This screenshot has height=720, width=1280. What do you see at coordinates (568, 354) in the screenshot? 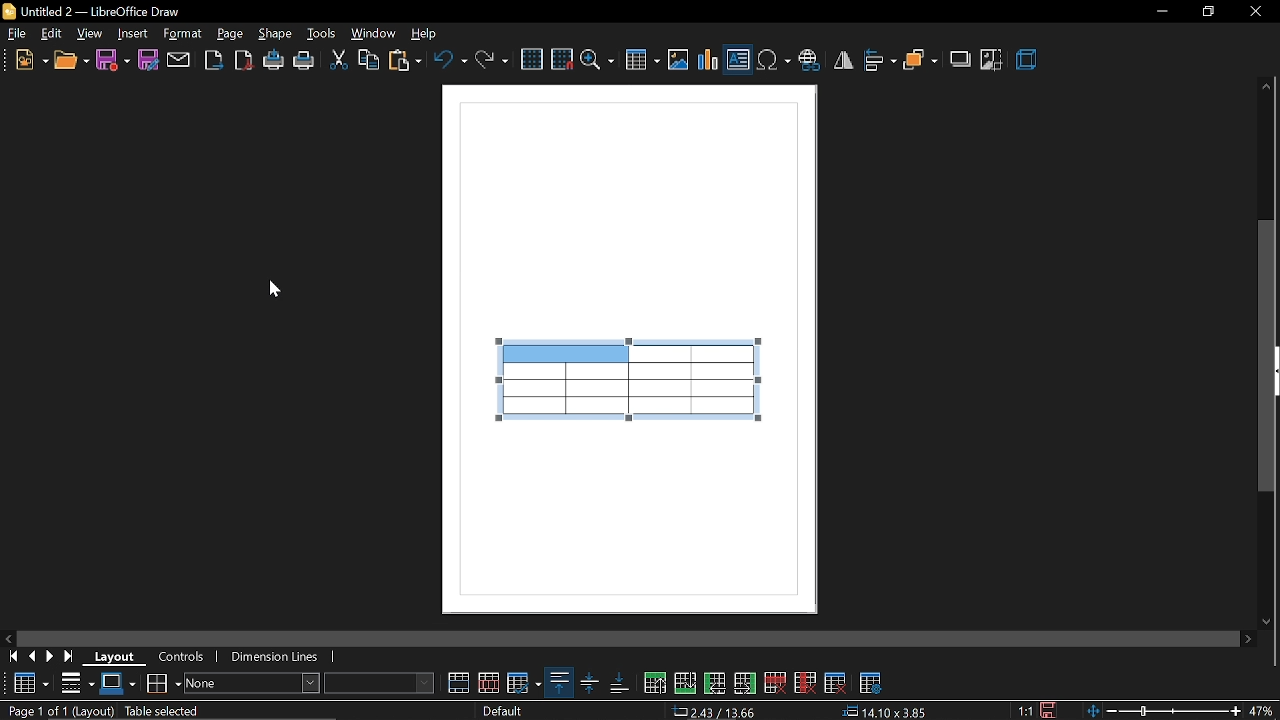
I see `merged cell` at bounding box center [568, 354].